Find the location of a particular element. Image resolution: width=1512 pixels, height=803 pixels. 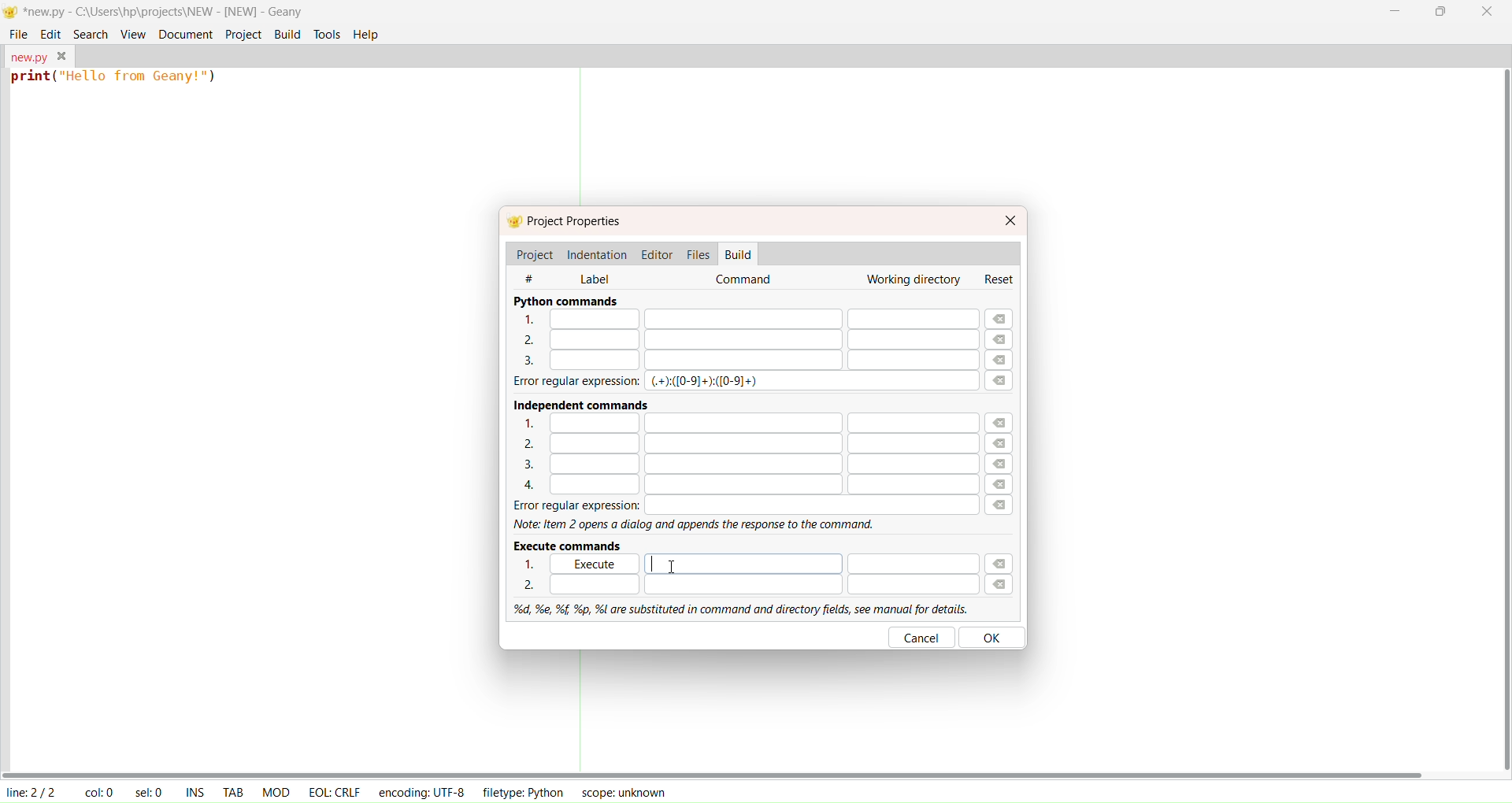

clear is located at coordinates (1004, 454).